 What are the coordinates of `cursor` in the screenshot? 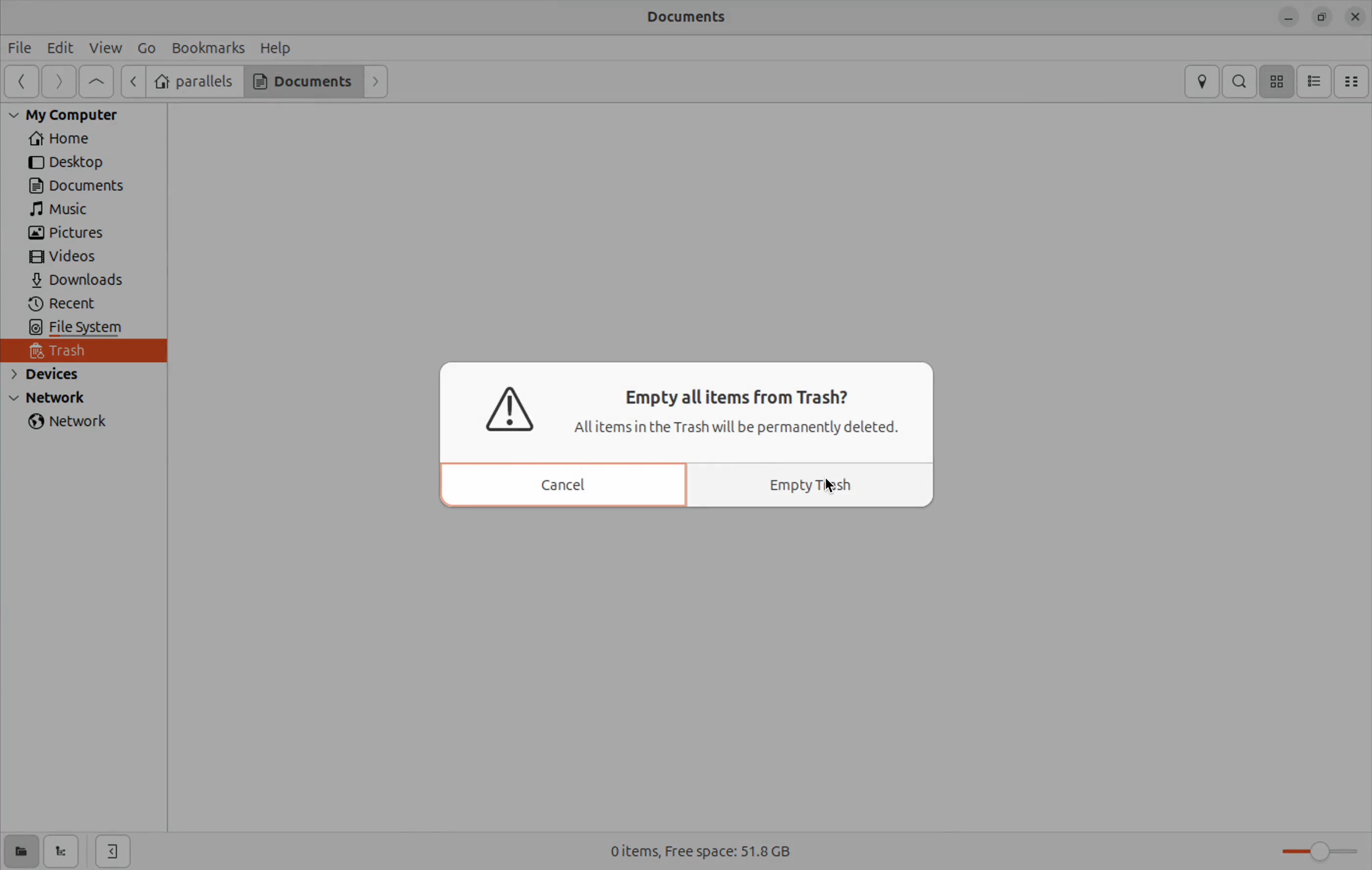 It's located at (832, 488).